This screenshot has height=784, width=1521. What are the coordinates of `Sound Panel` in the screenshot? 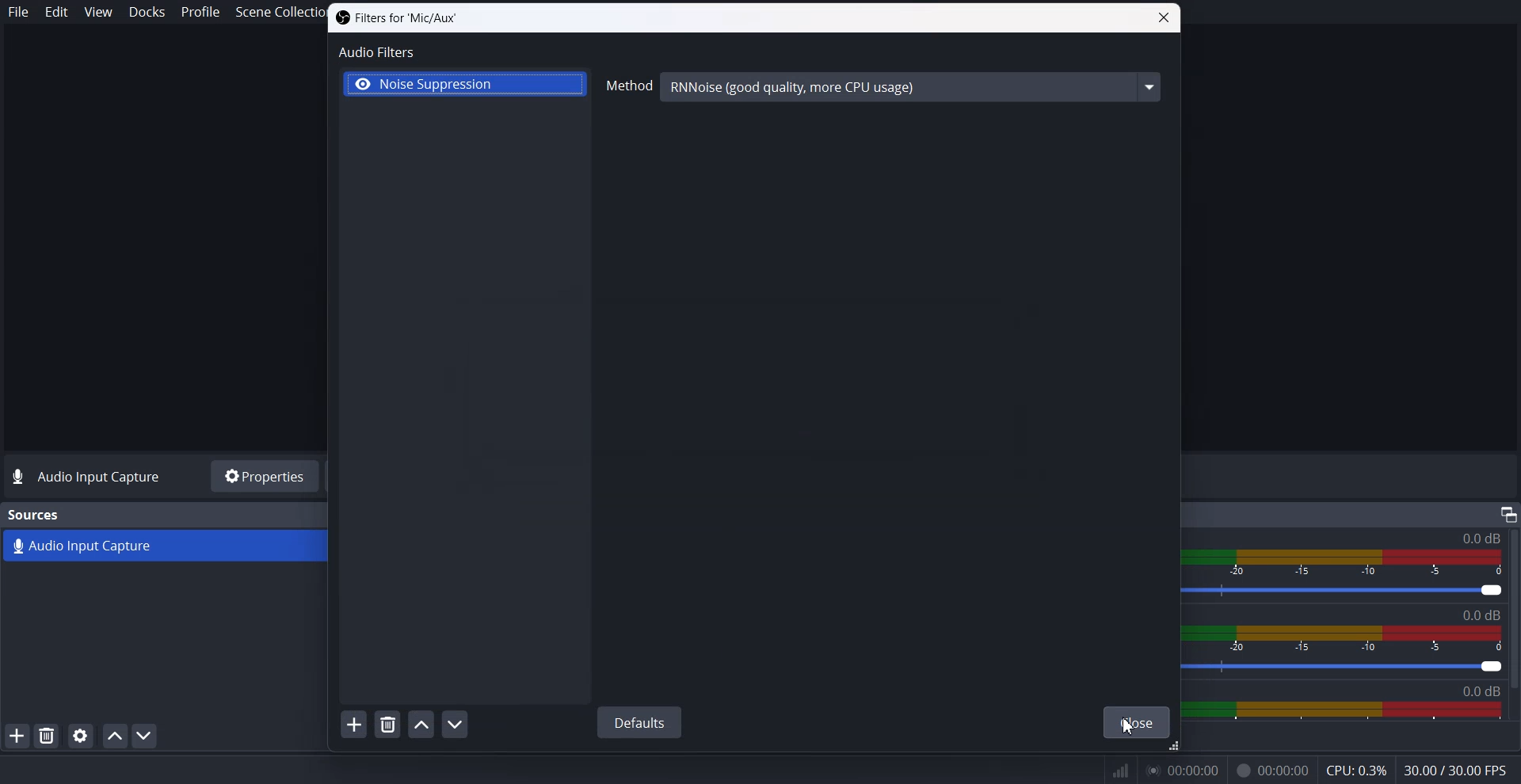 It's located at (1342, 710).